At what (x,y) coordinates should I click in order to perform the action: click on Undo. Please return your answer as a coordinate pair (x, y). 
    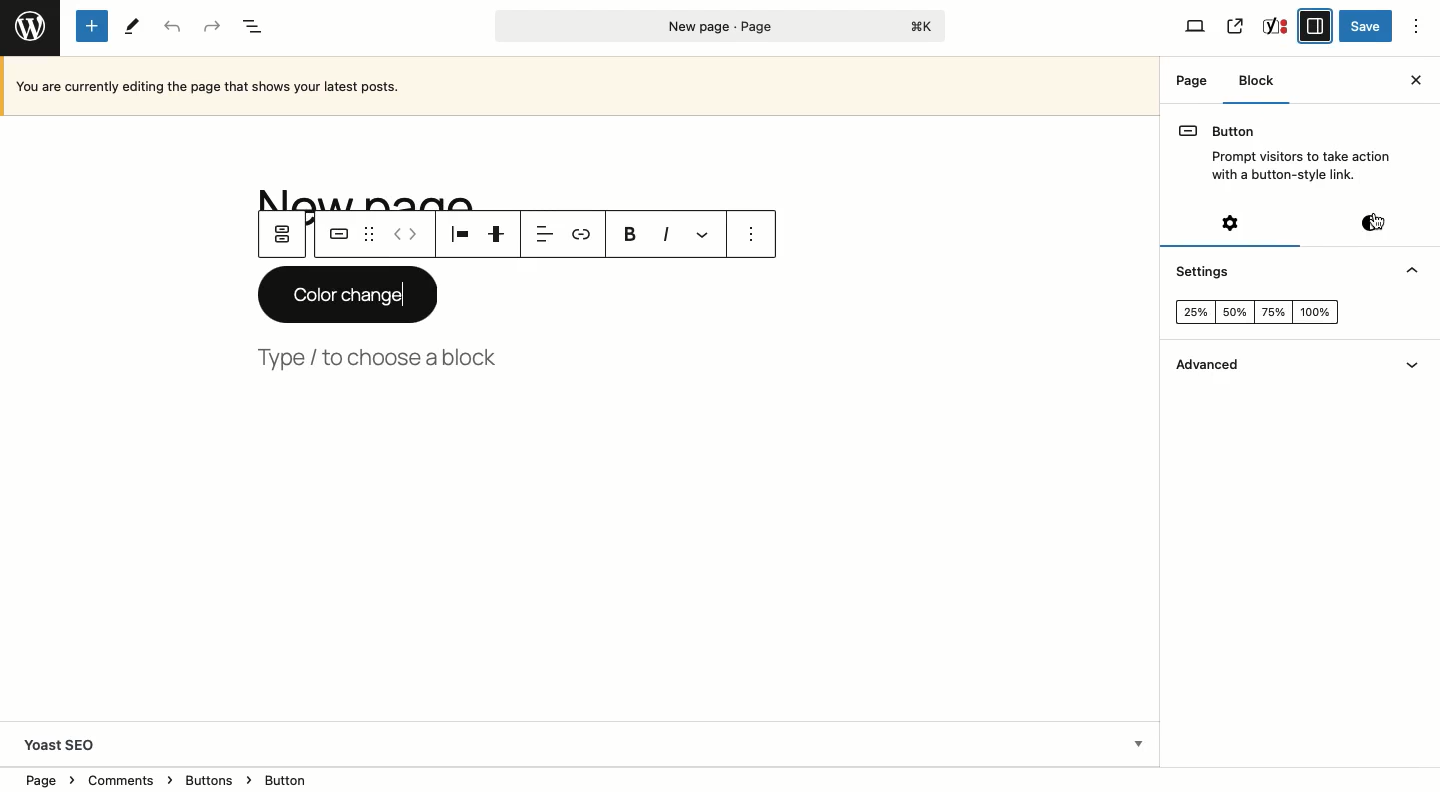
    Looking at the image, I should click on (172, 28).